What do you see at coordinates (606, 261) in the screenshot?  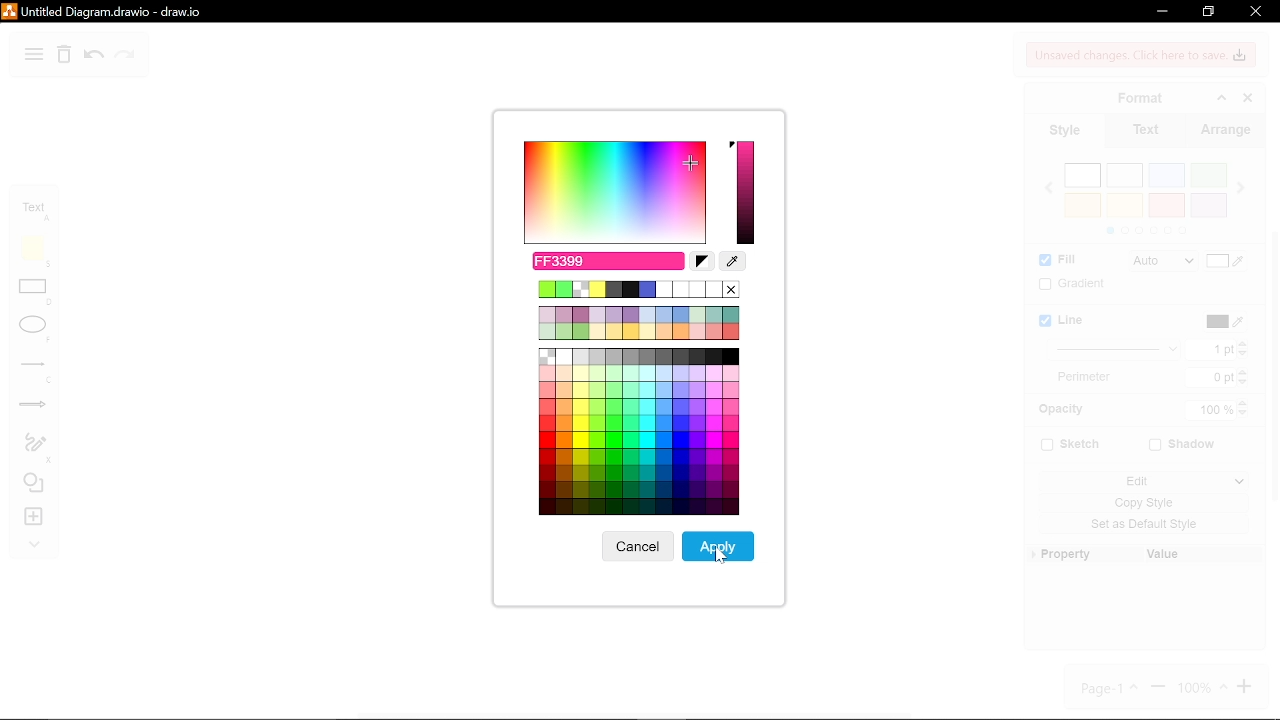 I see `FF3399` at bounding box center [606, 261].